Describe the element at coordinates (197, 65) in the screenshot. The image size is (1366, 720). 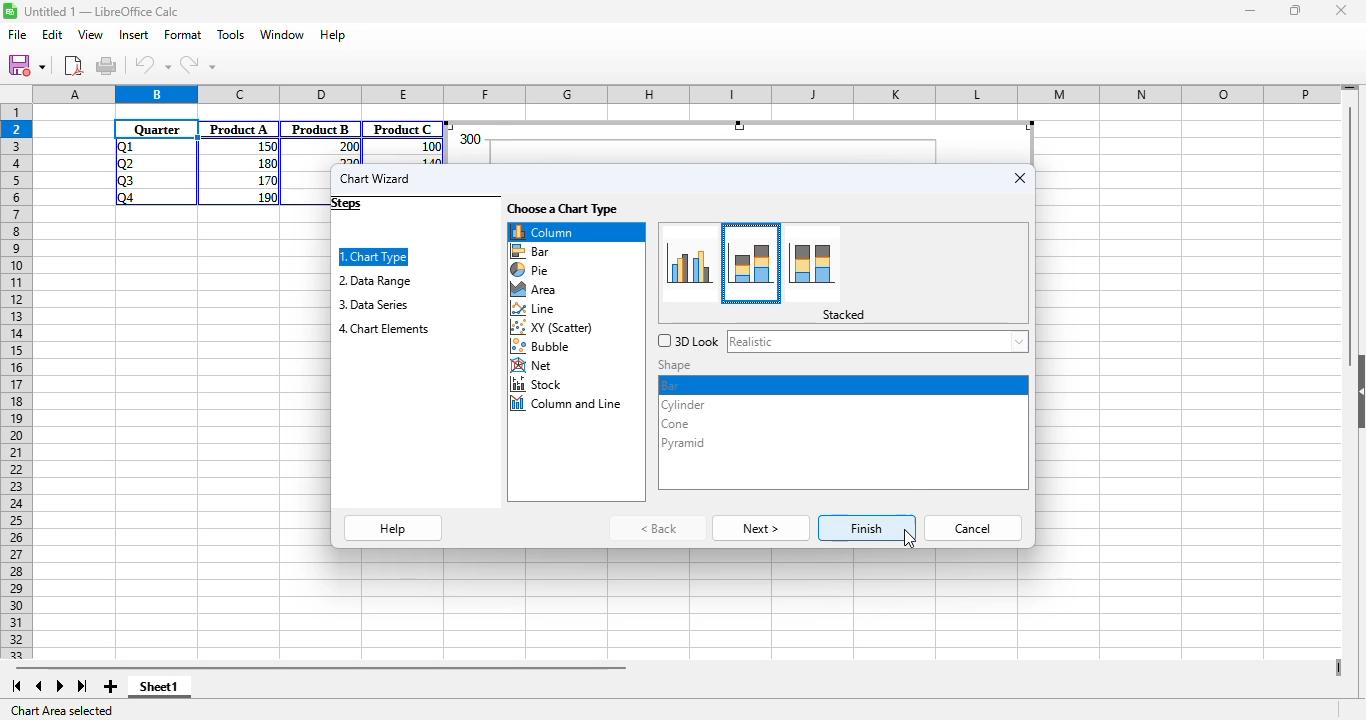
I see `redo` at that location.